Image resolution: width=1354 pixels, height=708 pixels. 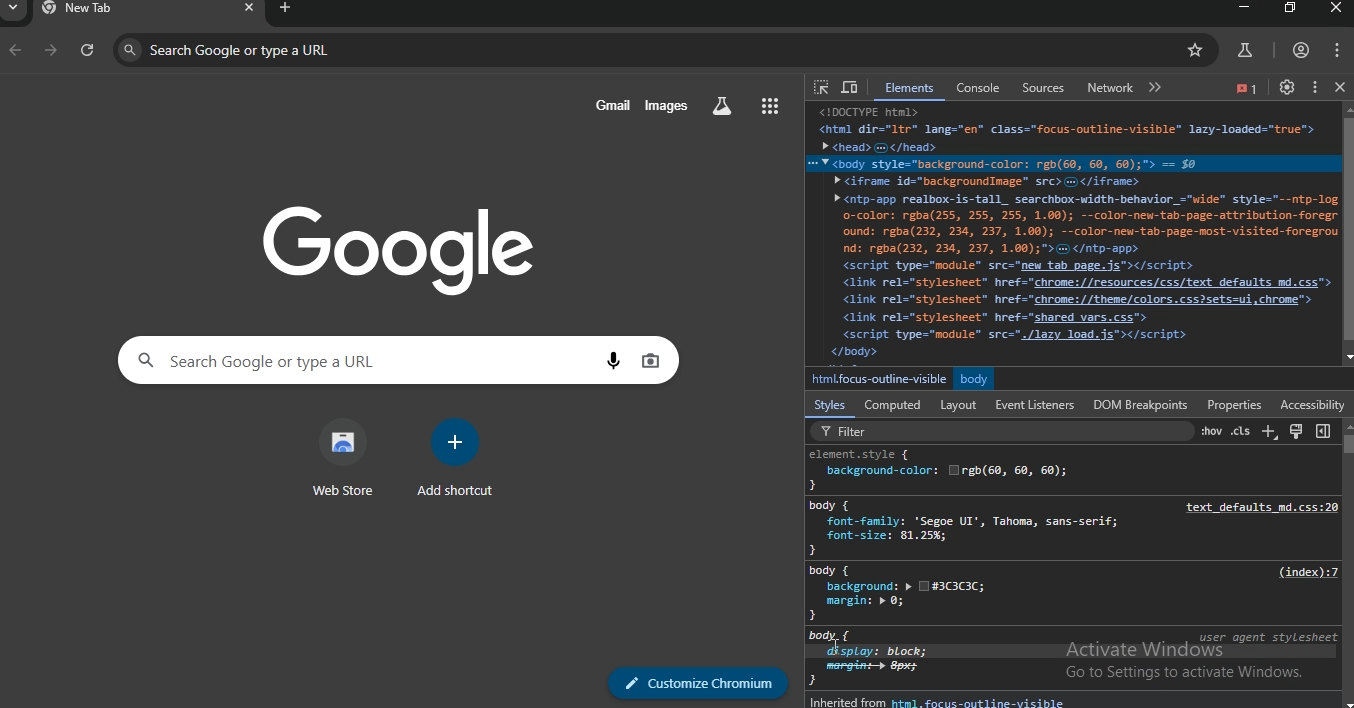 I want to click on search labs, so click(x=1241, y=54).